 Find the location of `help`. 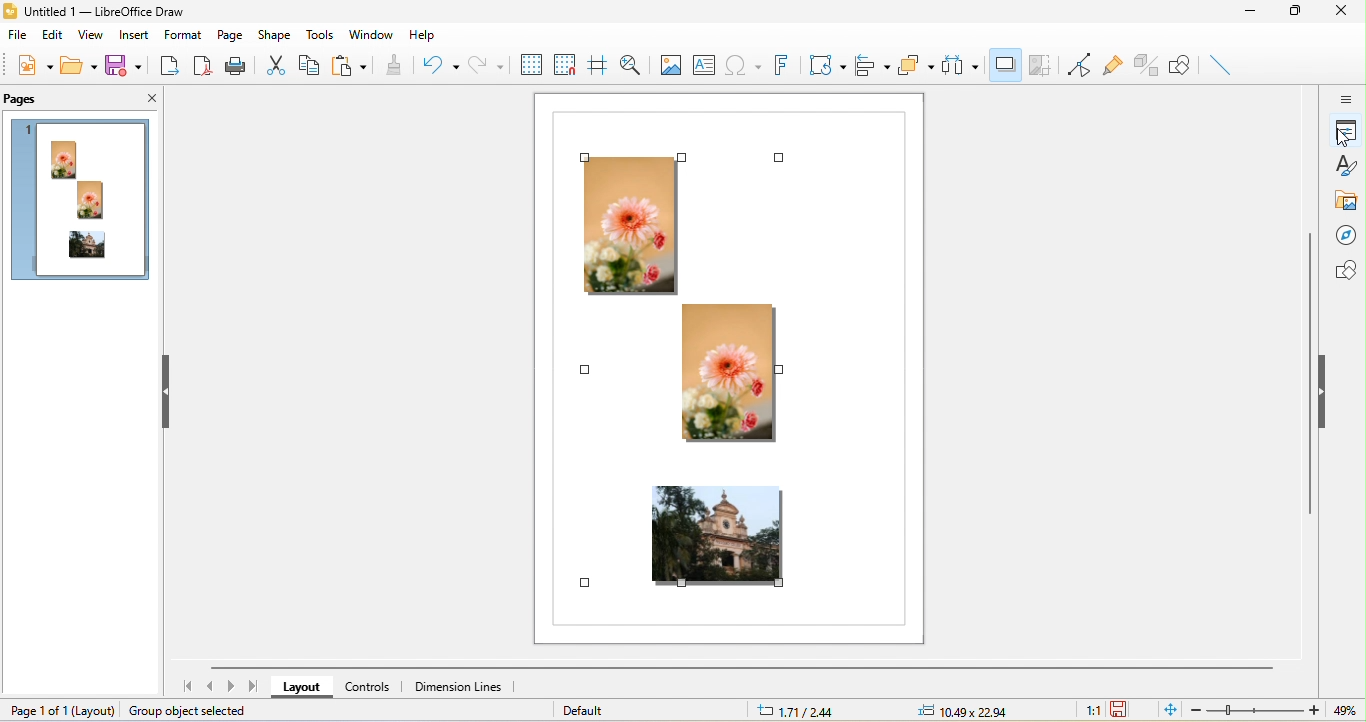

help is located at coordinates (420, 37).